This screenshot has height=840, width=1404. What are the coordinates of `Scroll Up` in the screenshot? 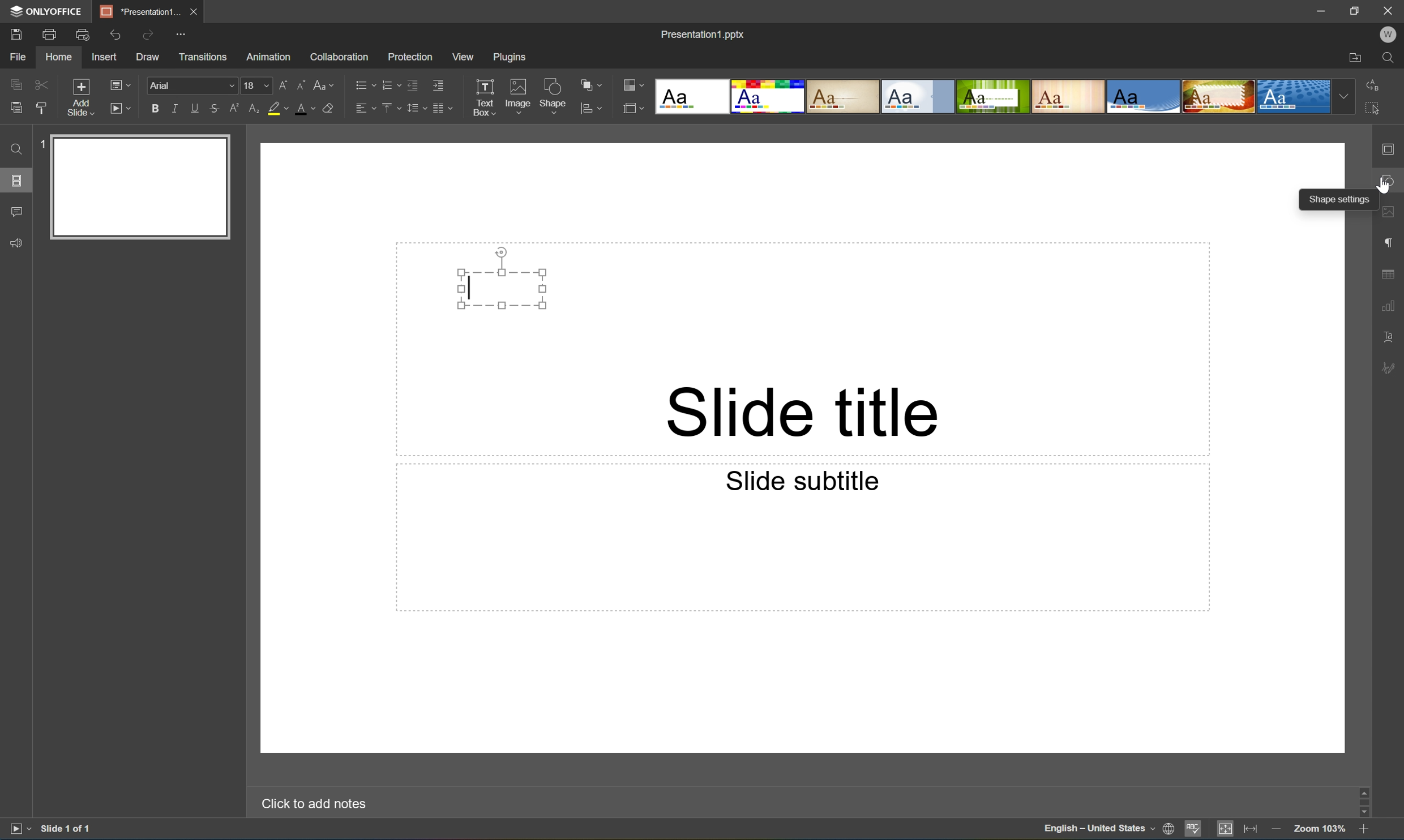 It's located at (1363, 786).